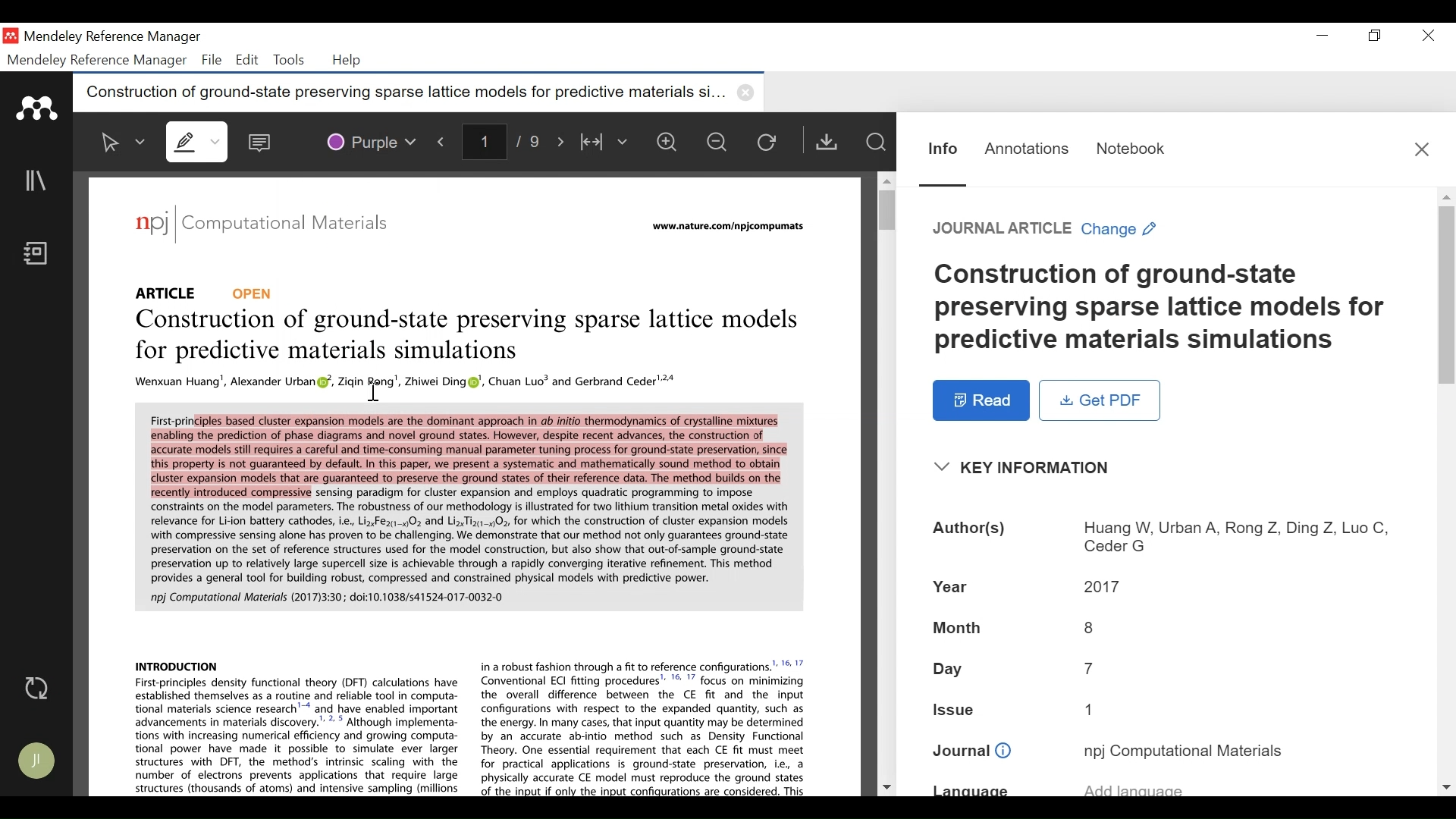 The image size is (1456, 819). I want to click on 7, so click(1095, 670).